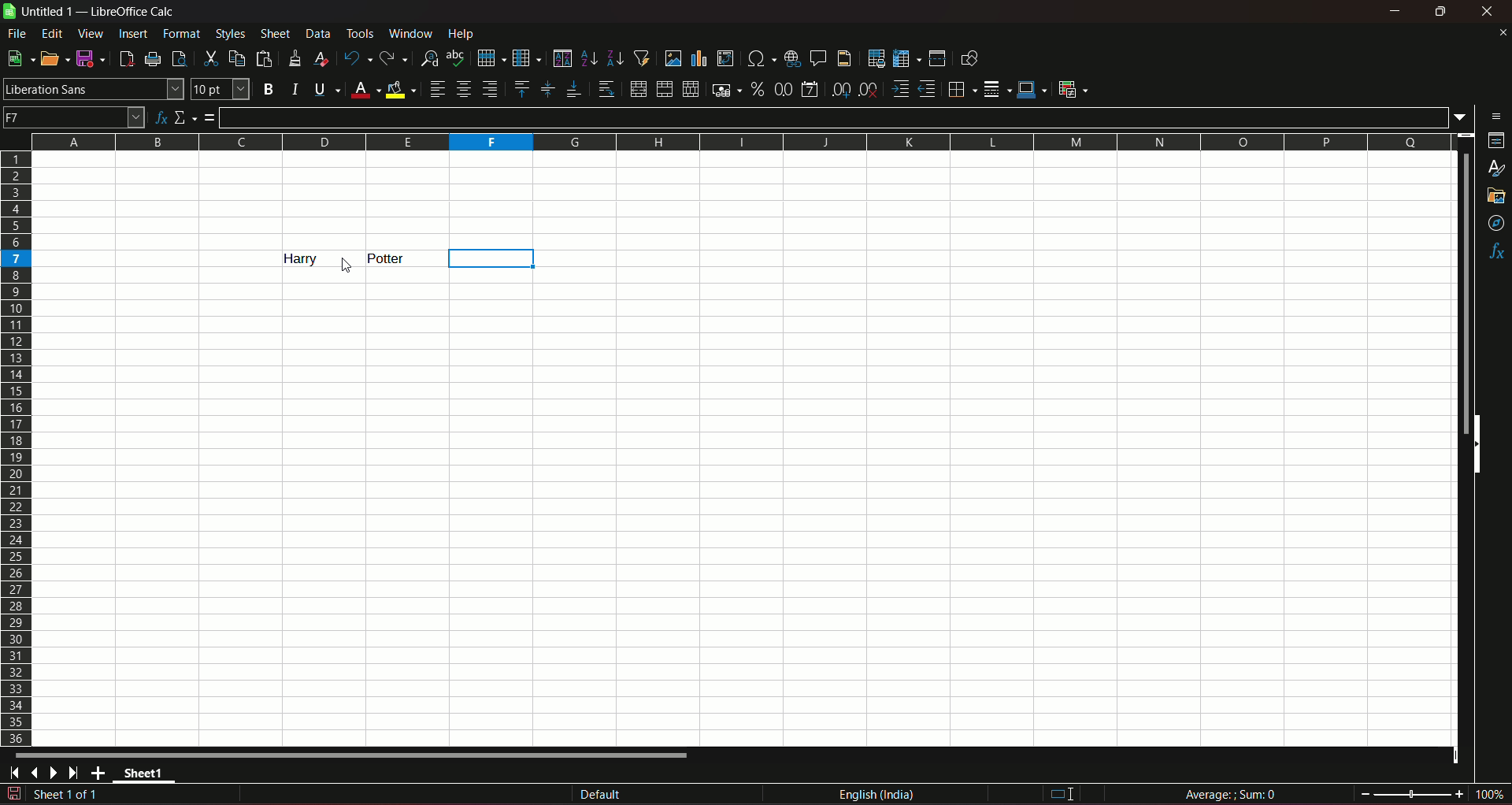 This screenshot has height=805, width=1512. What do you see at coordinates (365, 91) in the screenshot?
I see `font color` at bounding box center [365, 91].